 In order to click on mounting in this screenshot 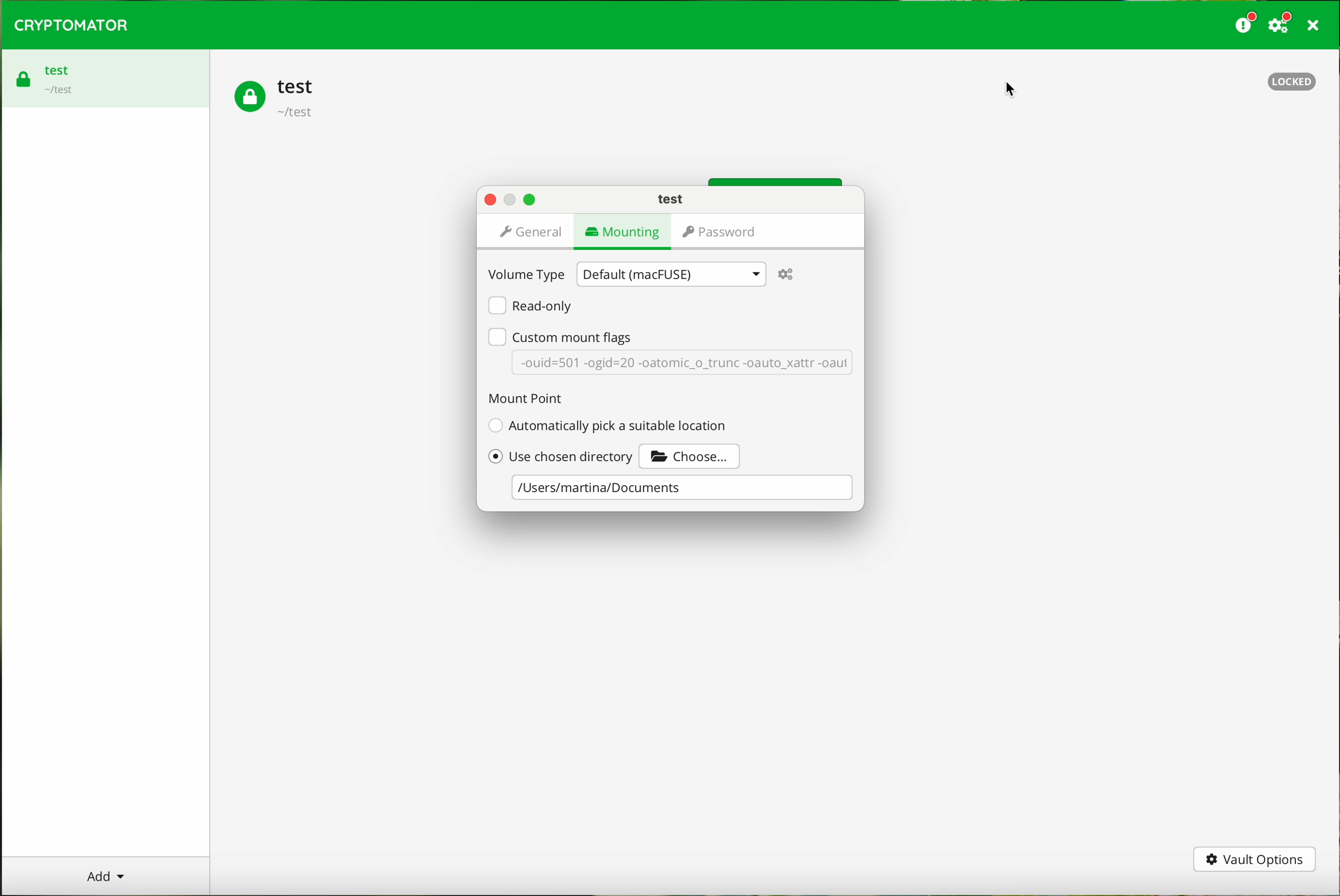, I will do `click(619, 234)`.